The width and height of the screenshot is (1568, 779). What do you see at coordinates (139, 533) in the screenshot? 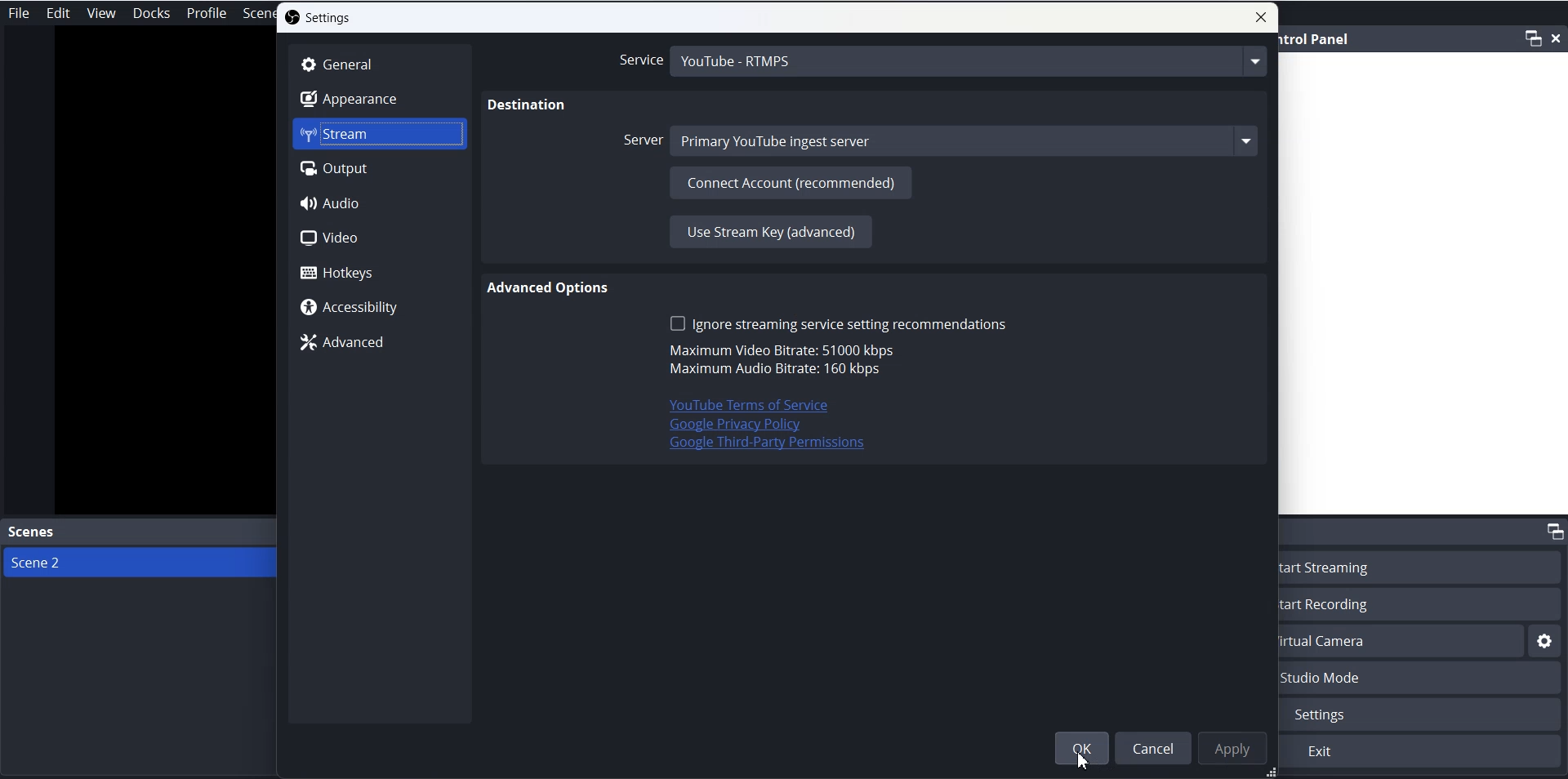
I see `Scenes` at bounding box center [139, 533].